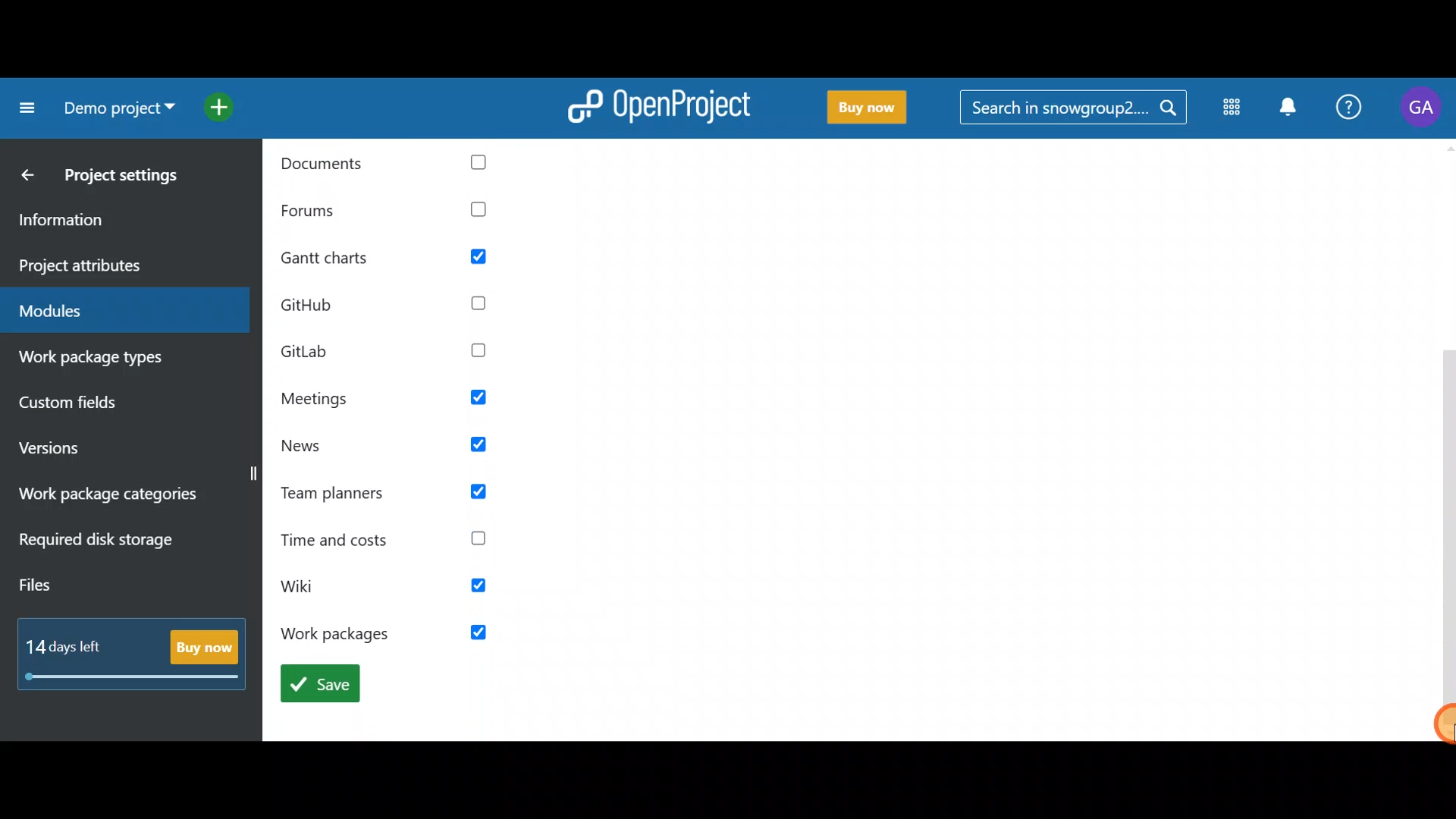 The image size is (1456, 819). I want to click on Project name, so click(115, 108).